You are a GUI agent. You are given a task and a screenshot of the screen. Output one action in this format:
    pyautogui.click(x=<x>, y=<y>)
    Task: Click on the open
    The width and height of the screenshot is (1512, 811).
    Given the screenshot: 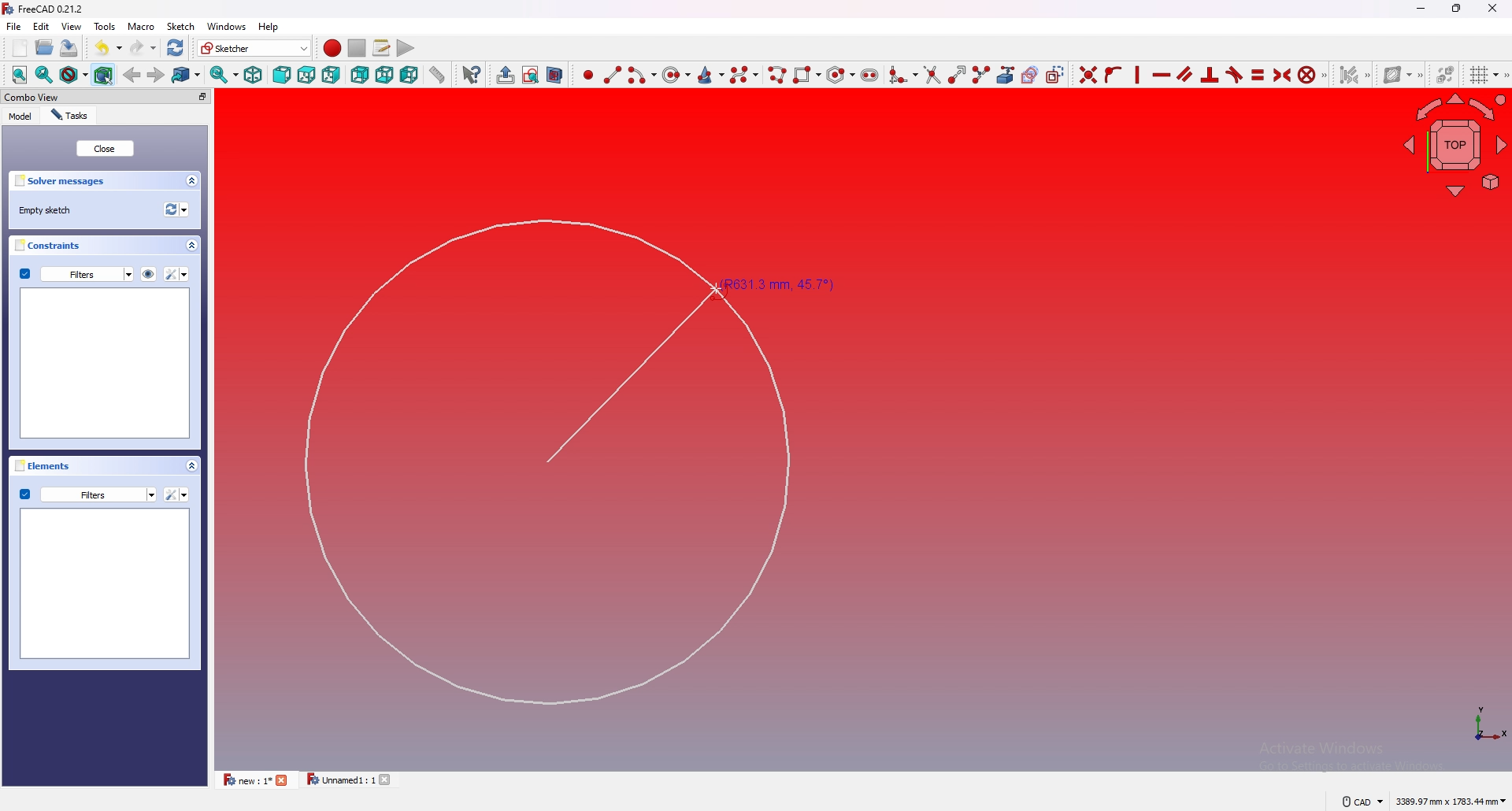 What is the action you would take?
    pyautogui.click(x=45, y=47)
    